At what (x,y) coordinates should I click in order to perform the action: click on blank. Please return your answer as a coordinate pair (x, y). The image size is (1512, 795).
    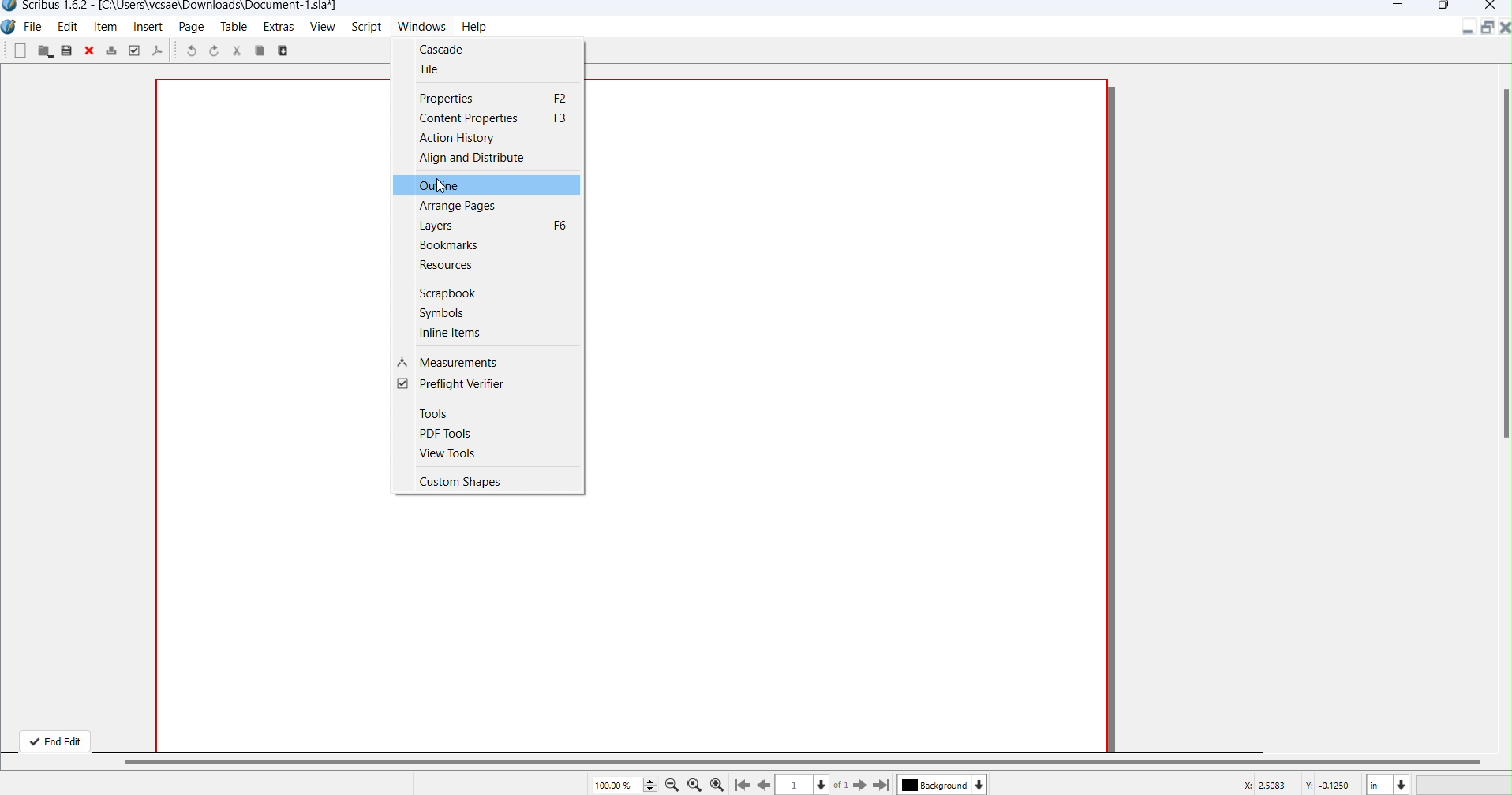
    Looking at the image, I should click on (20, 52).